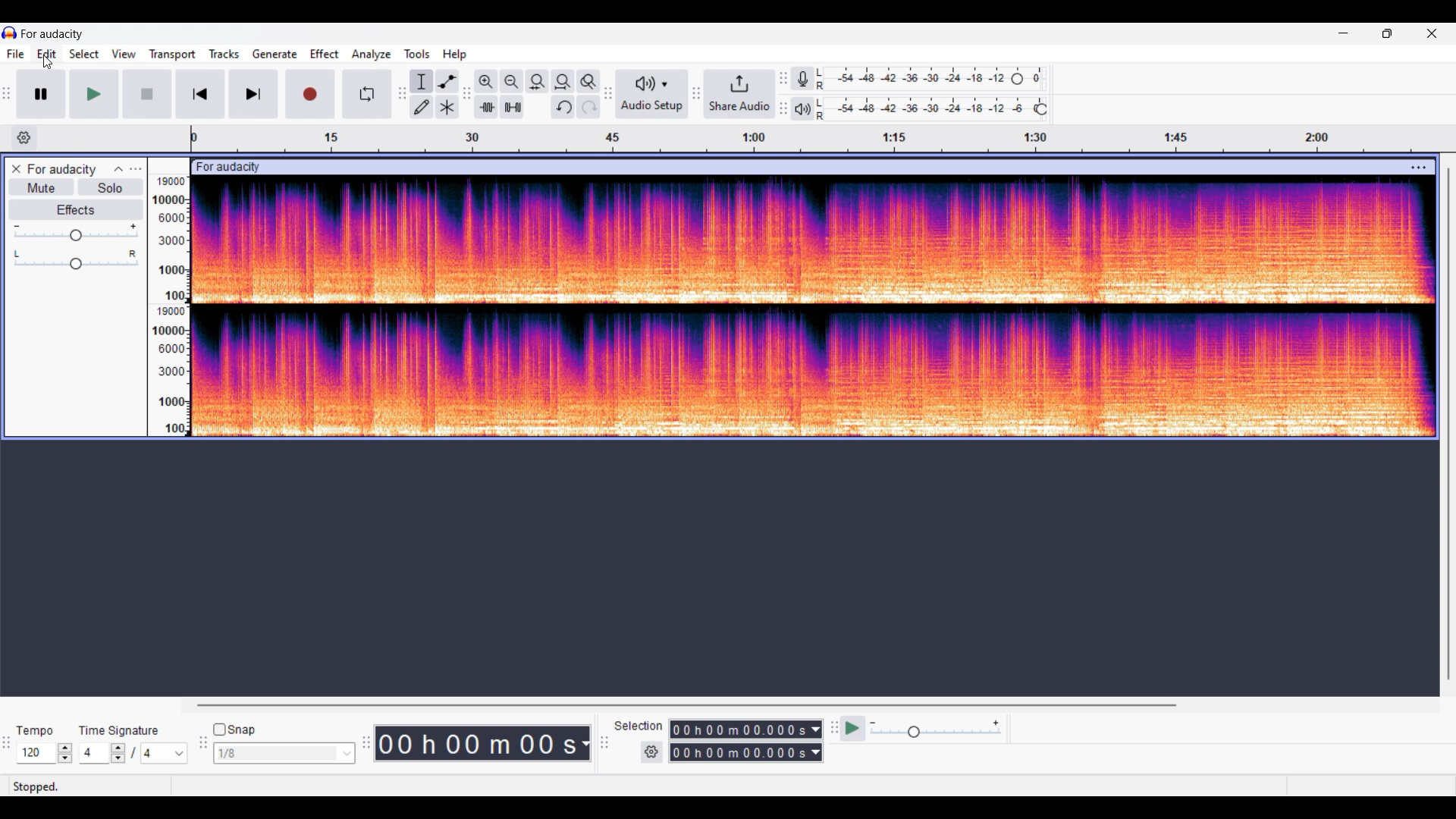 Image resolution: width=1456 pixels, height=819 pixels. I want to click on Select menu, so click(84, 54).